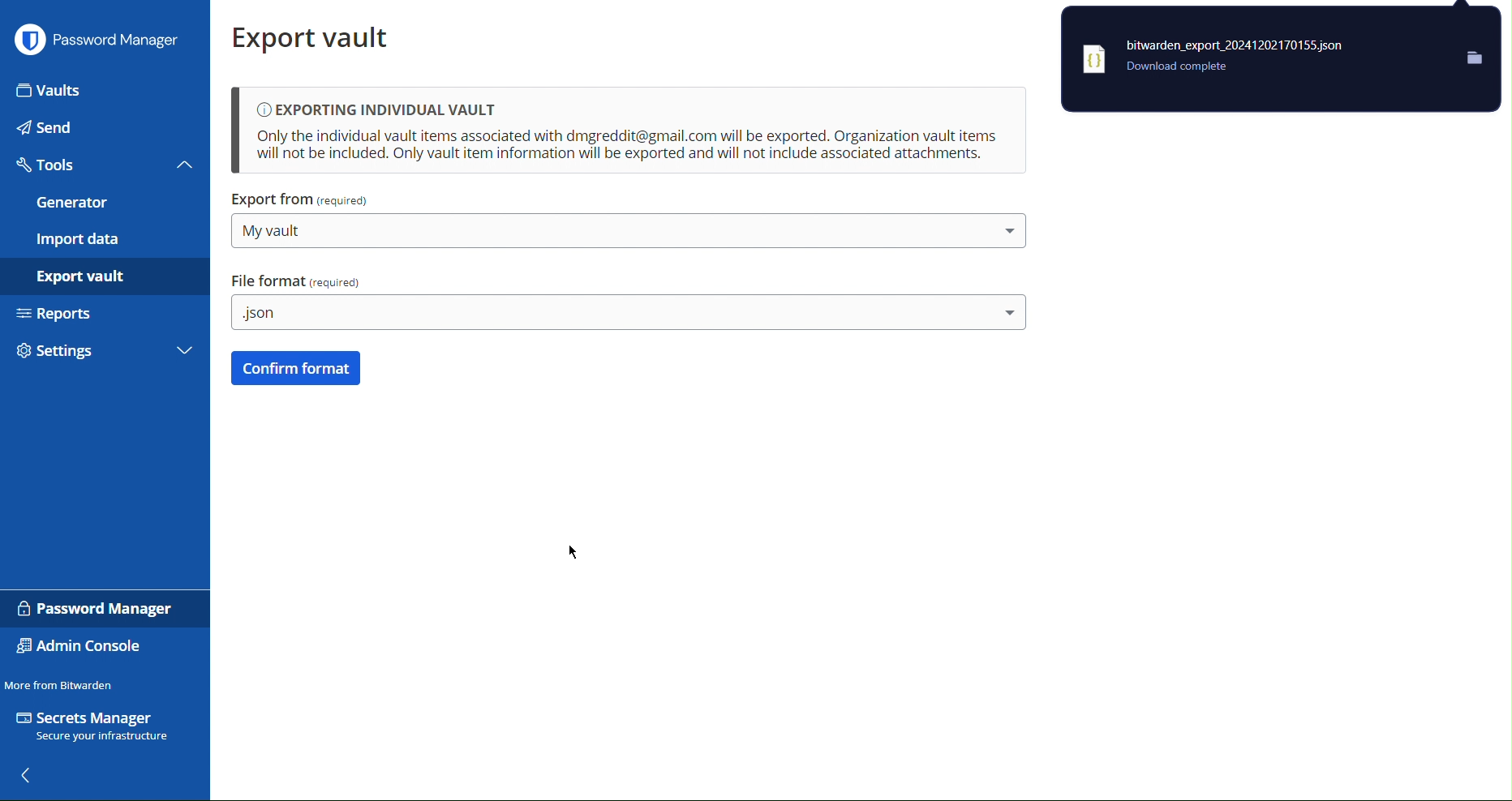 This screenshot has height=801, width=1512. Describe the element at coordinates (85, 647) in the screenshot. I see `Admin Console` at that location.